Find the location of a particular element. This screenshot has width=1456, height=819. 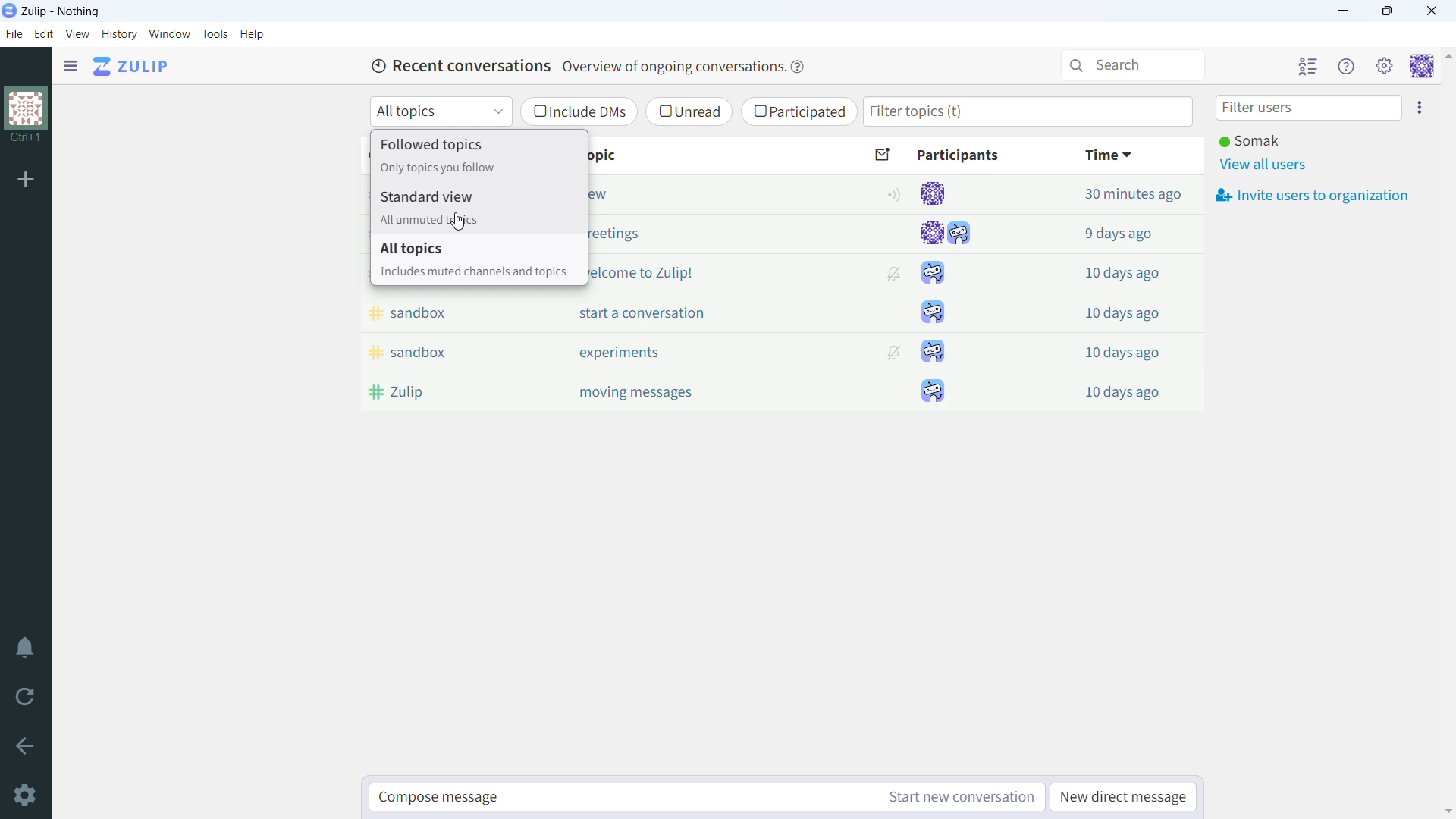

filter user is located at coordinates (1309, 108).